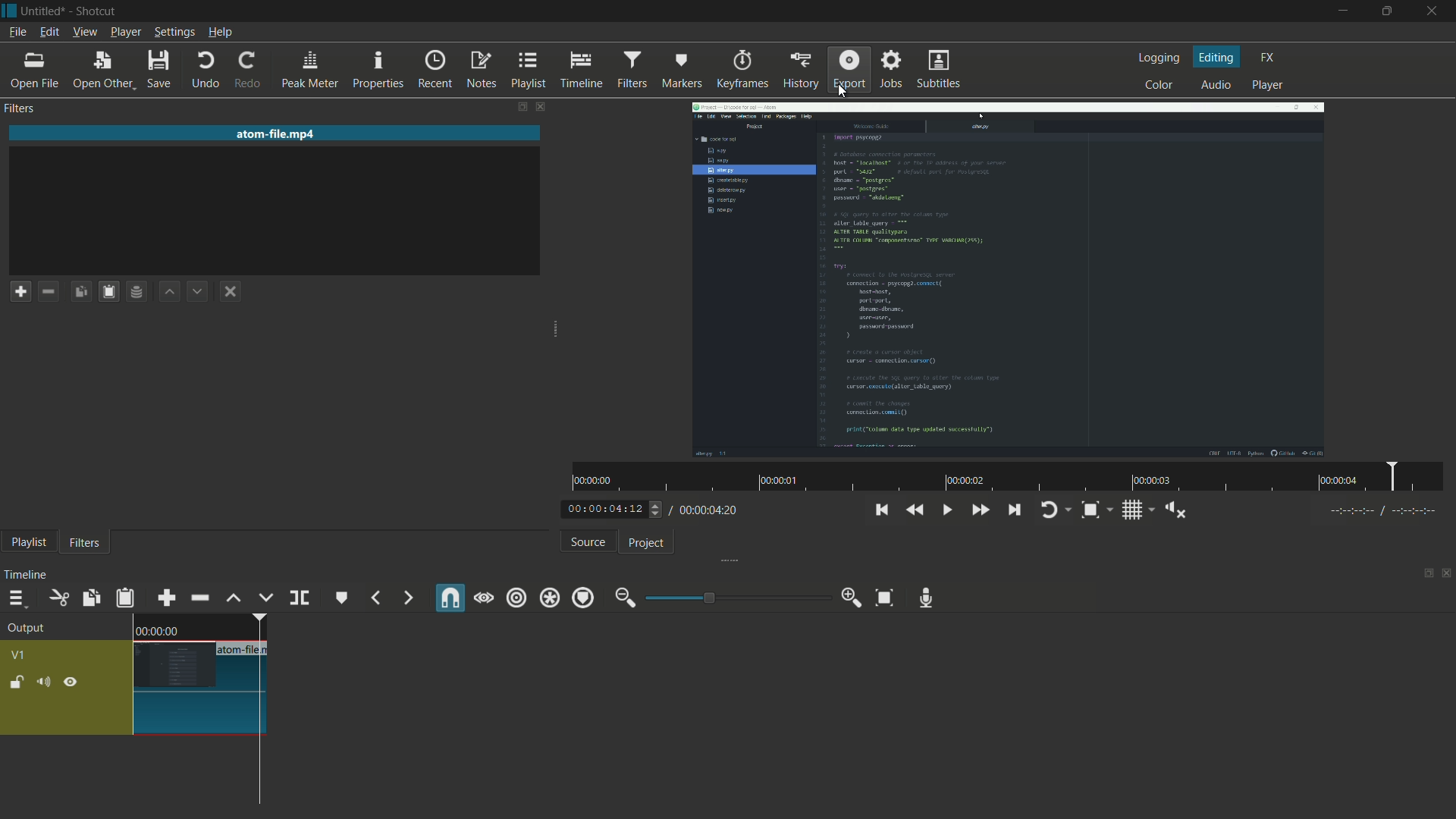 This screenshot has height=819, width=1456. What do you see at coordinates (127, 600) in the screenshot?
I see `paste` at bounding box center [127, 600].